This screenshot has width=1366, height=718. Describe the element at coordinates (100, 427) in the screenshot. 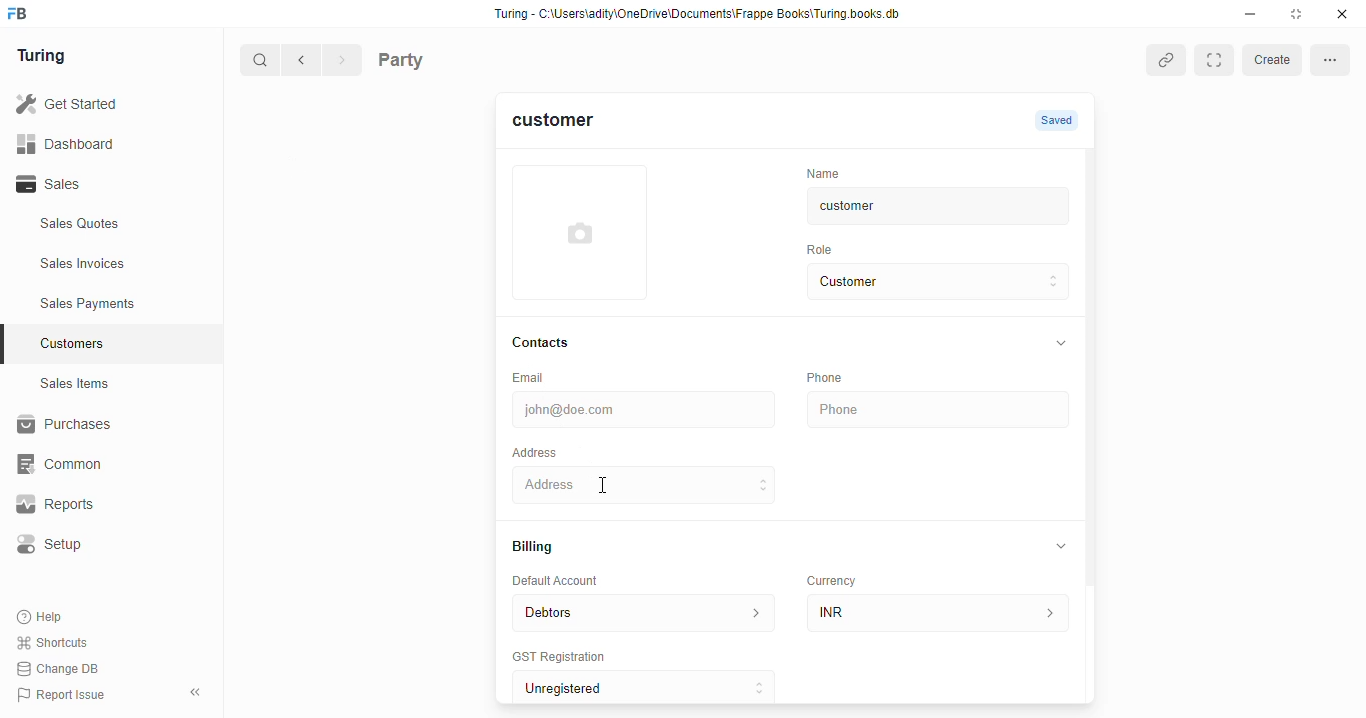

I see `Purchases` at that location.